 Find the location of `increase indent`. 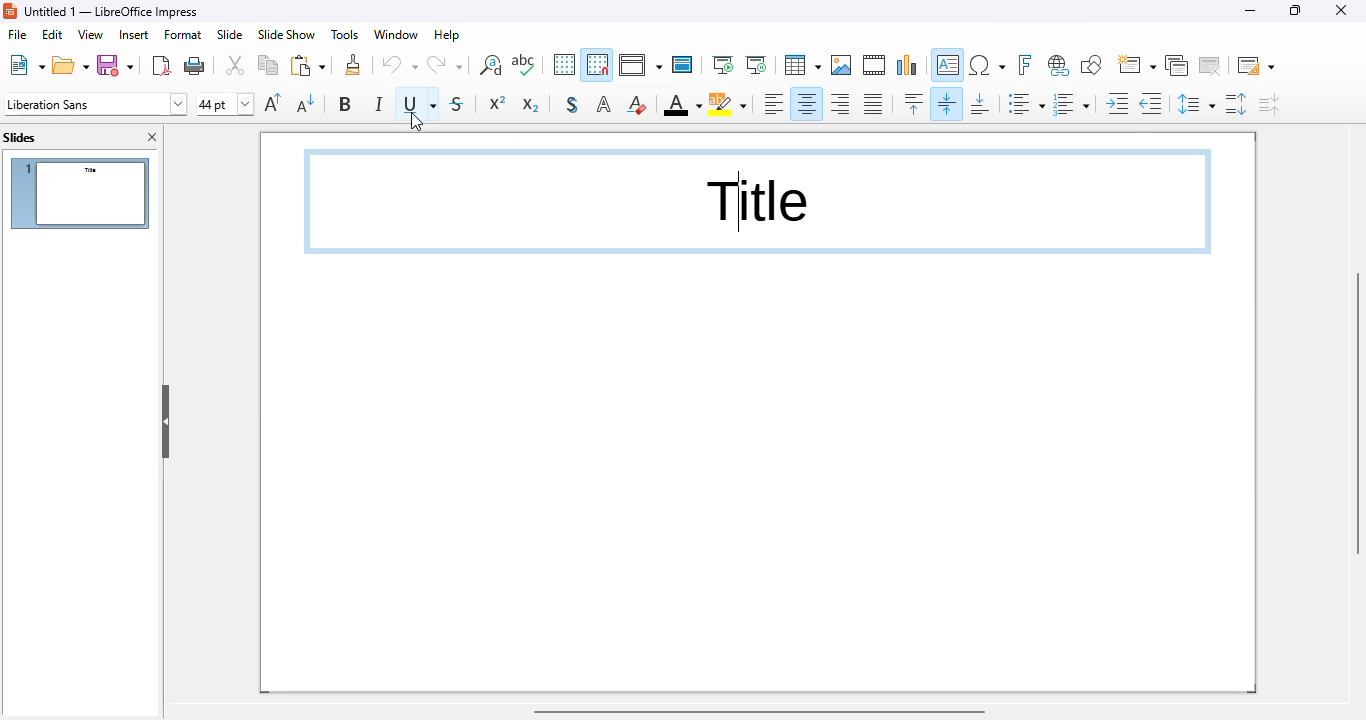

increase indent is located at coordinates (1118, 104).